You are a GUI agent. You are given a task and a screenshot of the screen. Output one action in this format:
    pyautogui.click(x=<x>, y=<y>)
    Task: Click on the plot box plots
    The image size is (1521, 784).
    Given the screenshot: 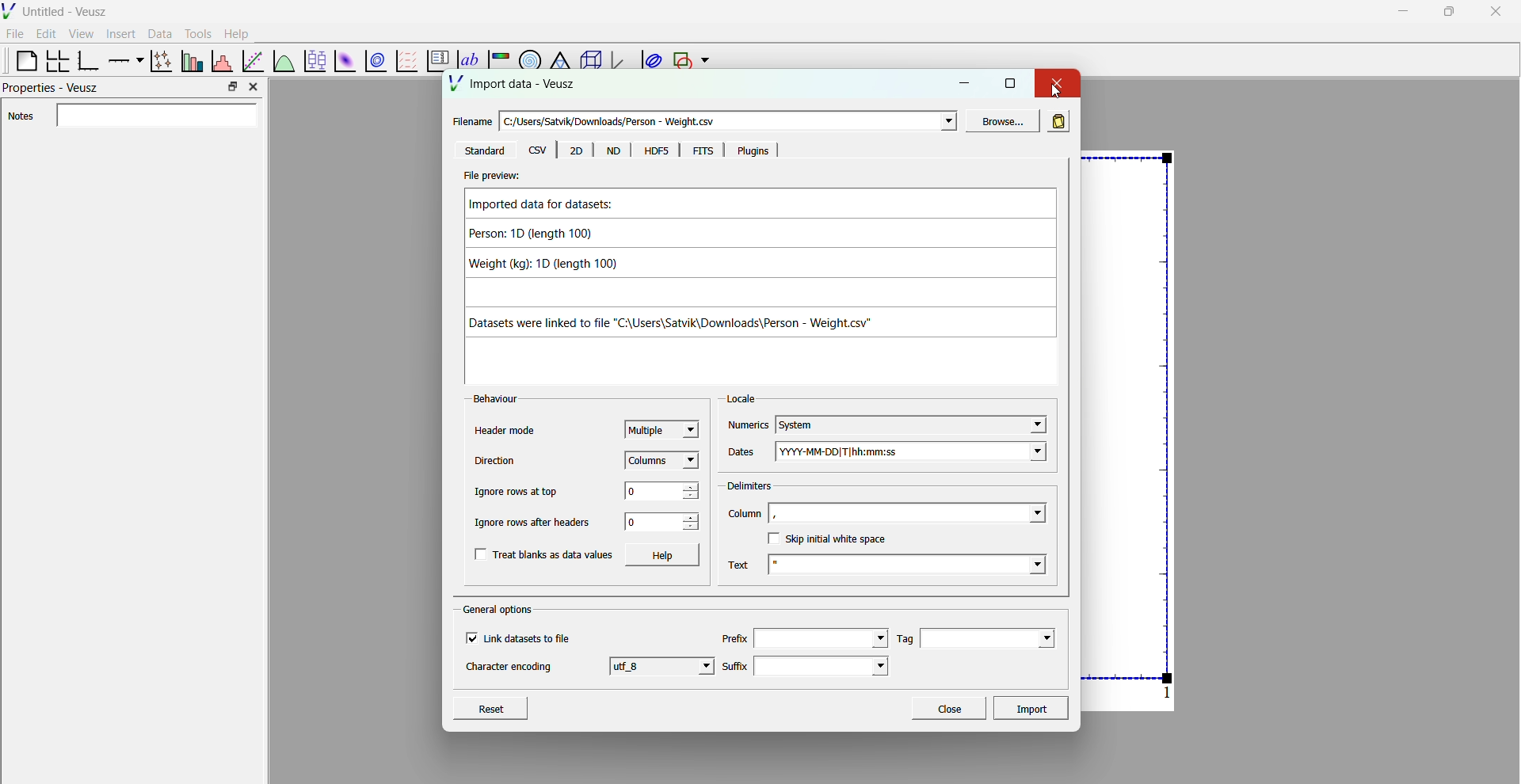 What is the action you would take?
    pyautogui.click(x=314, y=61)
    